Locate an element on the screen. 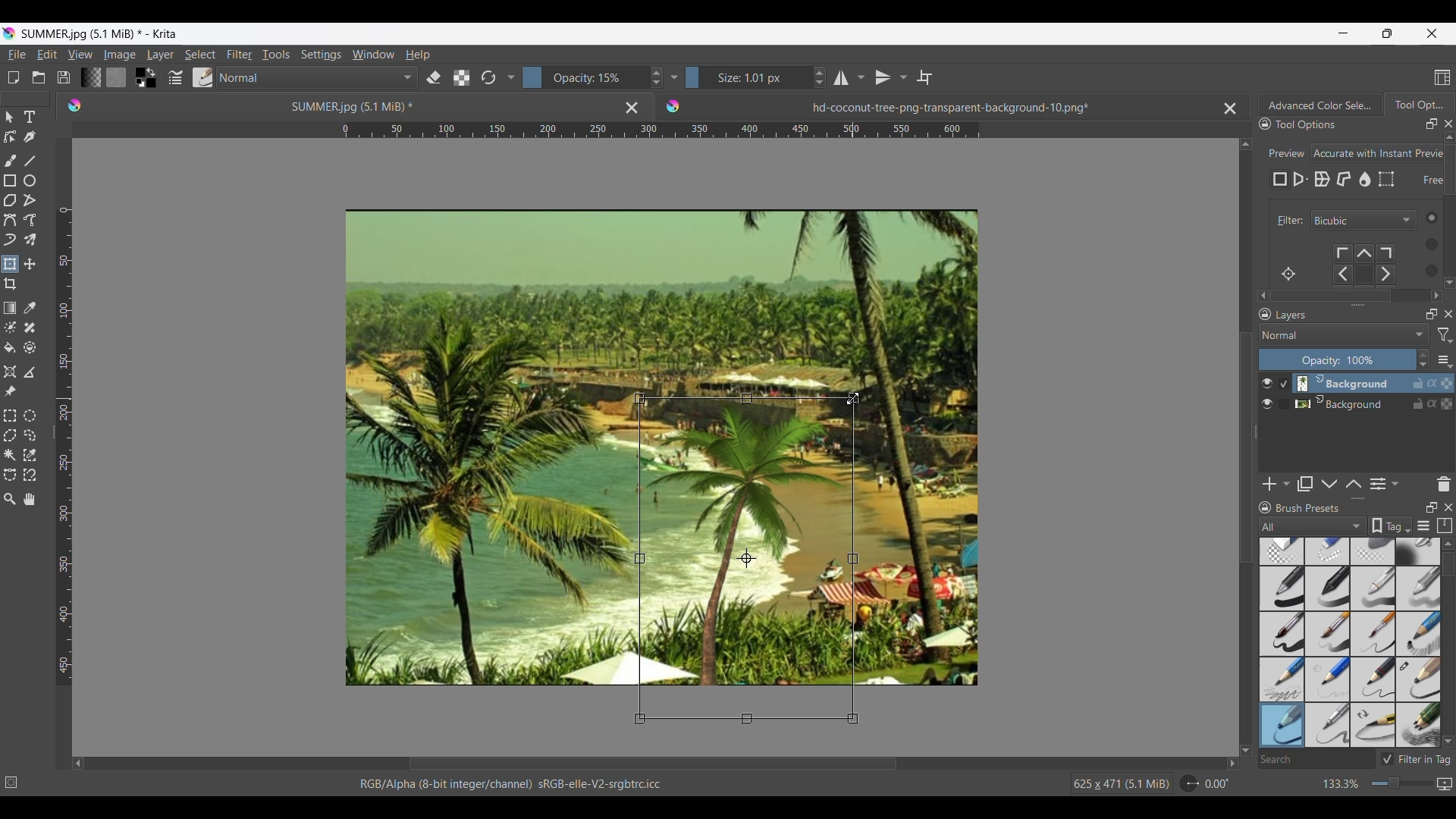 This screenshot has width=1456, height=819. SUMMERjpg (5.1 MiB)* is located at coordinates (330, 105).